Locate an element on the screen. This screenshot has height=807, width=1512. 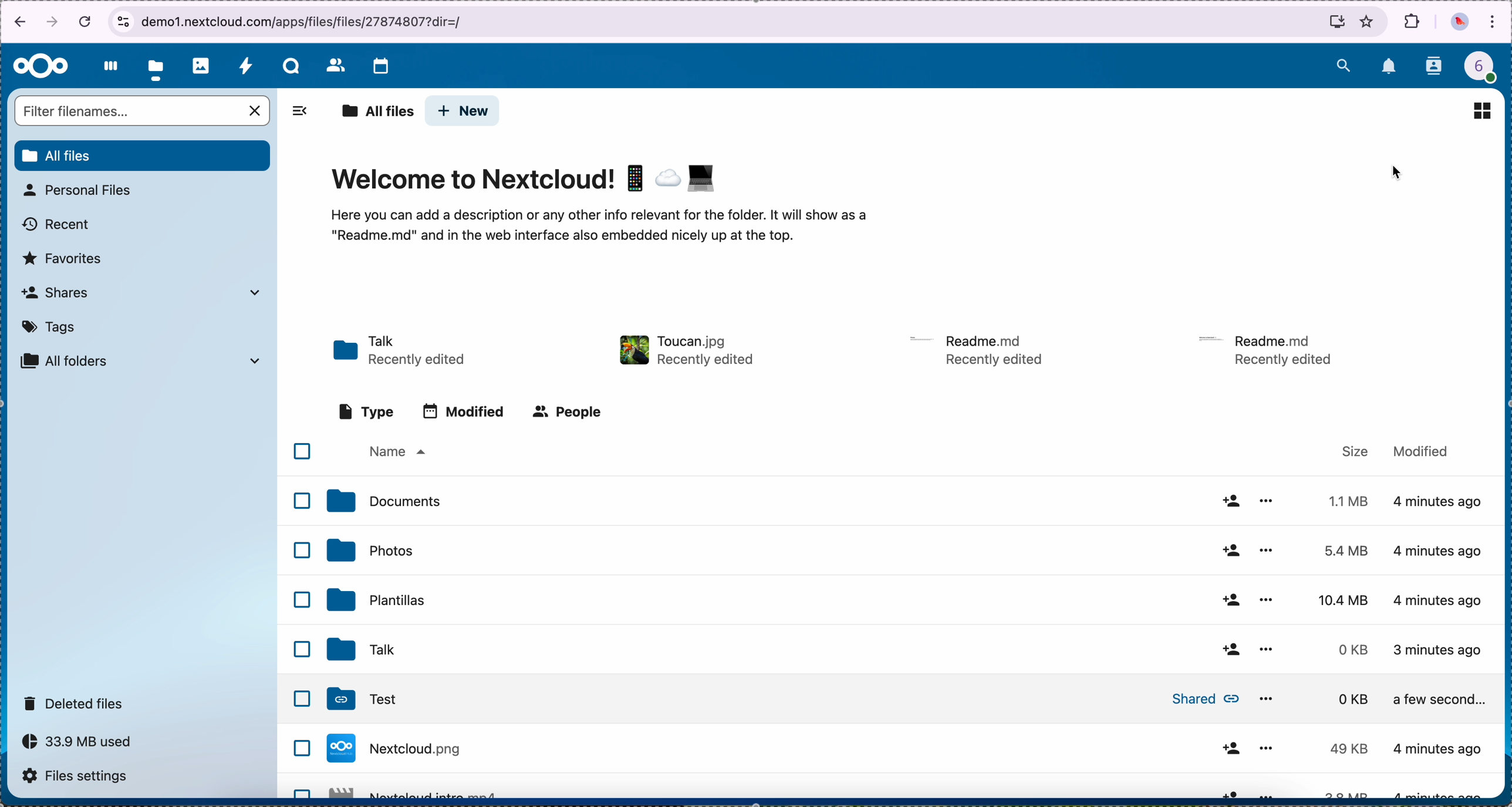
3.8 MB is located at coordinates (1343, 750).